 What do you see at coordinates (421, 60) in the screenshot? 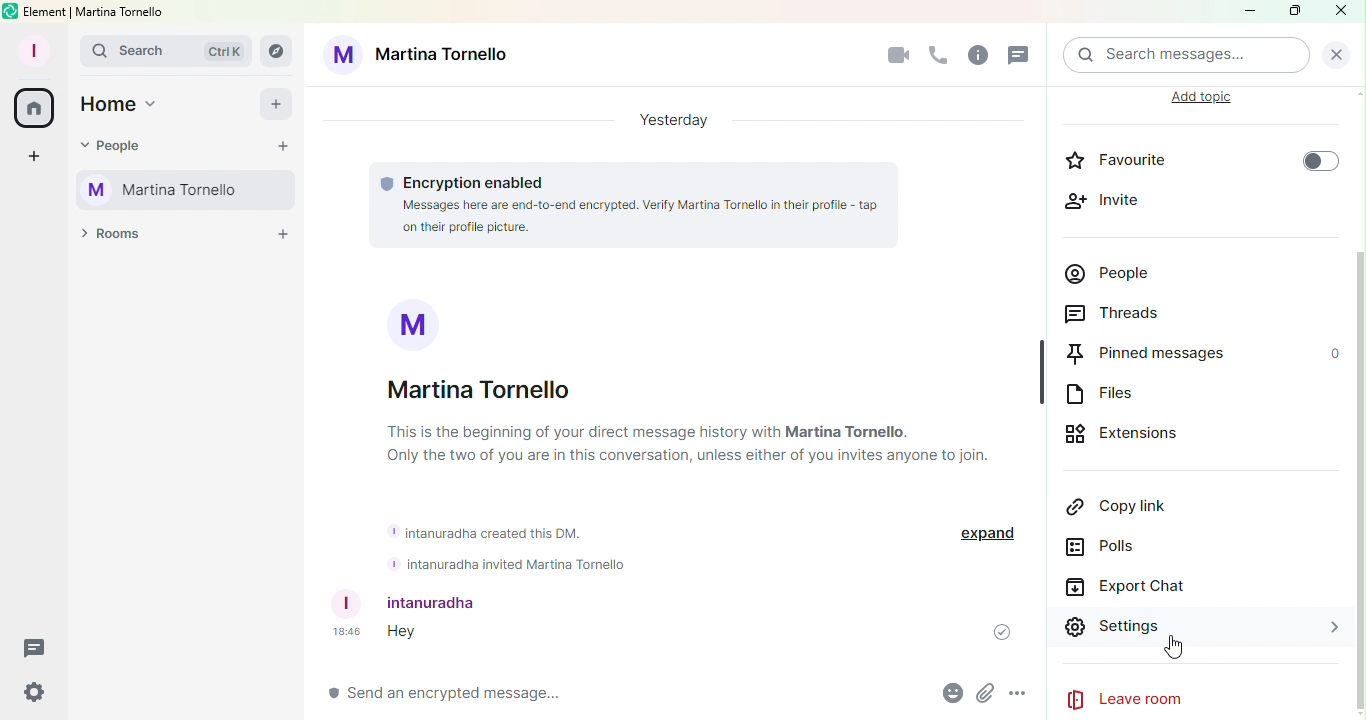
I see `Martina tornello` at bounding box center [421, 60].